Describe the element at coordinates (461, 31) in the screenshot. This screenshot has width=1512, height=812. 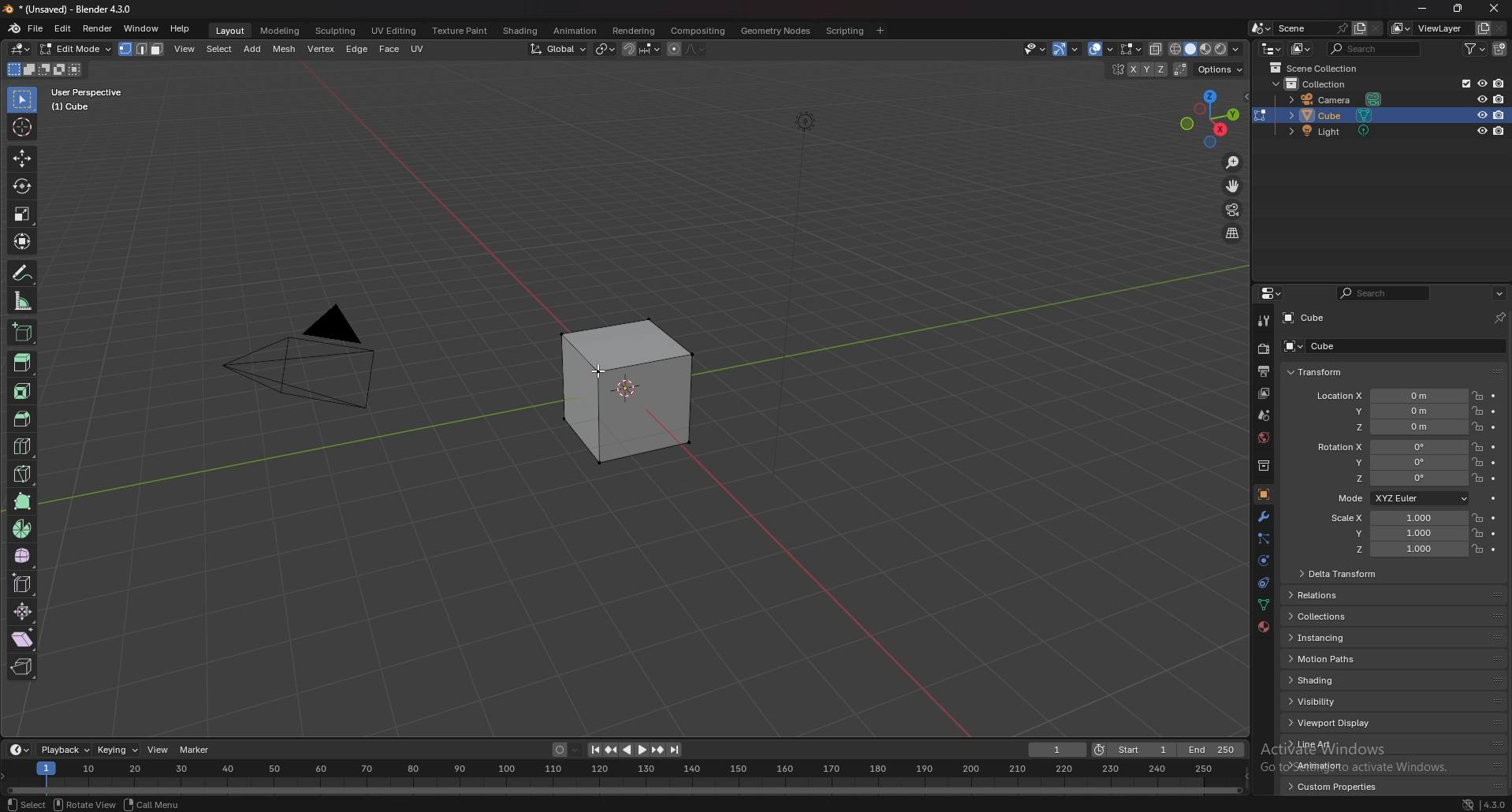
I see `texture paint` at that location.